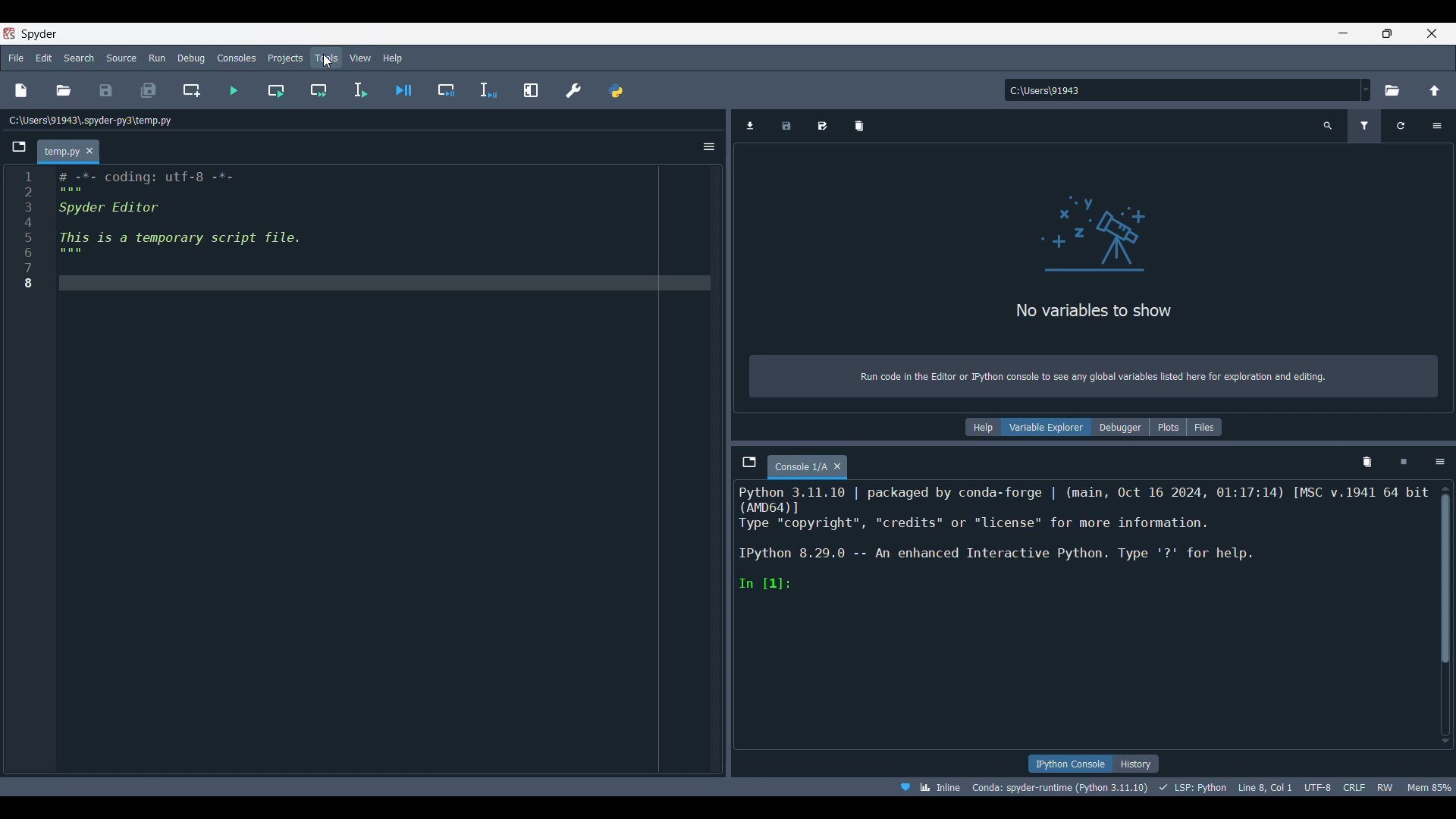 The image size is (1456, 819). Describe the element at coordinates (573, 89) in the screenshot. I see `Preferences` at that location.